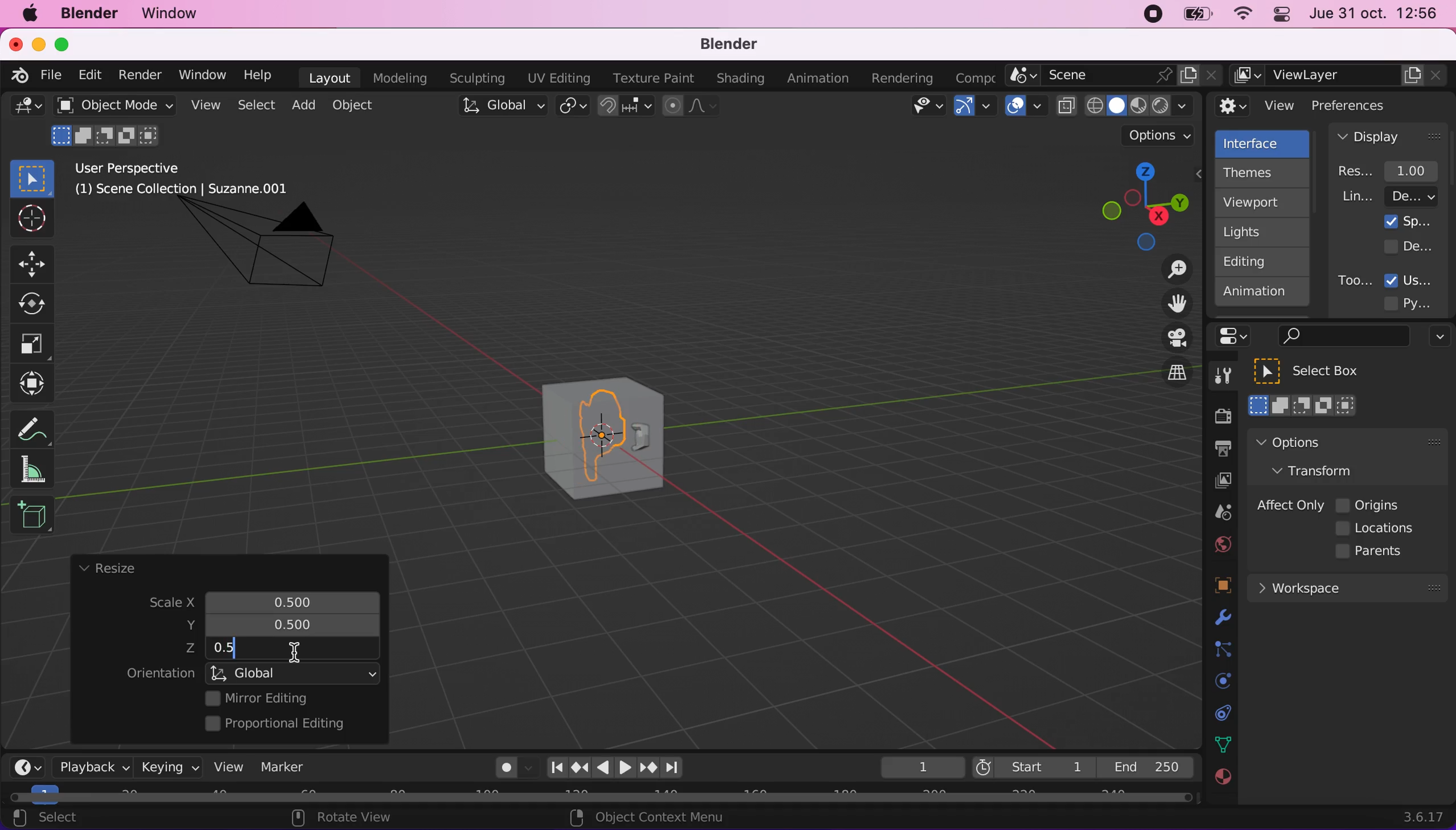 This screenshot has width=1456, height=830. Describe the element at coordinates (87, 75) in the screenshot. I see `edit` at that location.